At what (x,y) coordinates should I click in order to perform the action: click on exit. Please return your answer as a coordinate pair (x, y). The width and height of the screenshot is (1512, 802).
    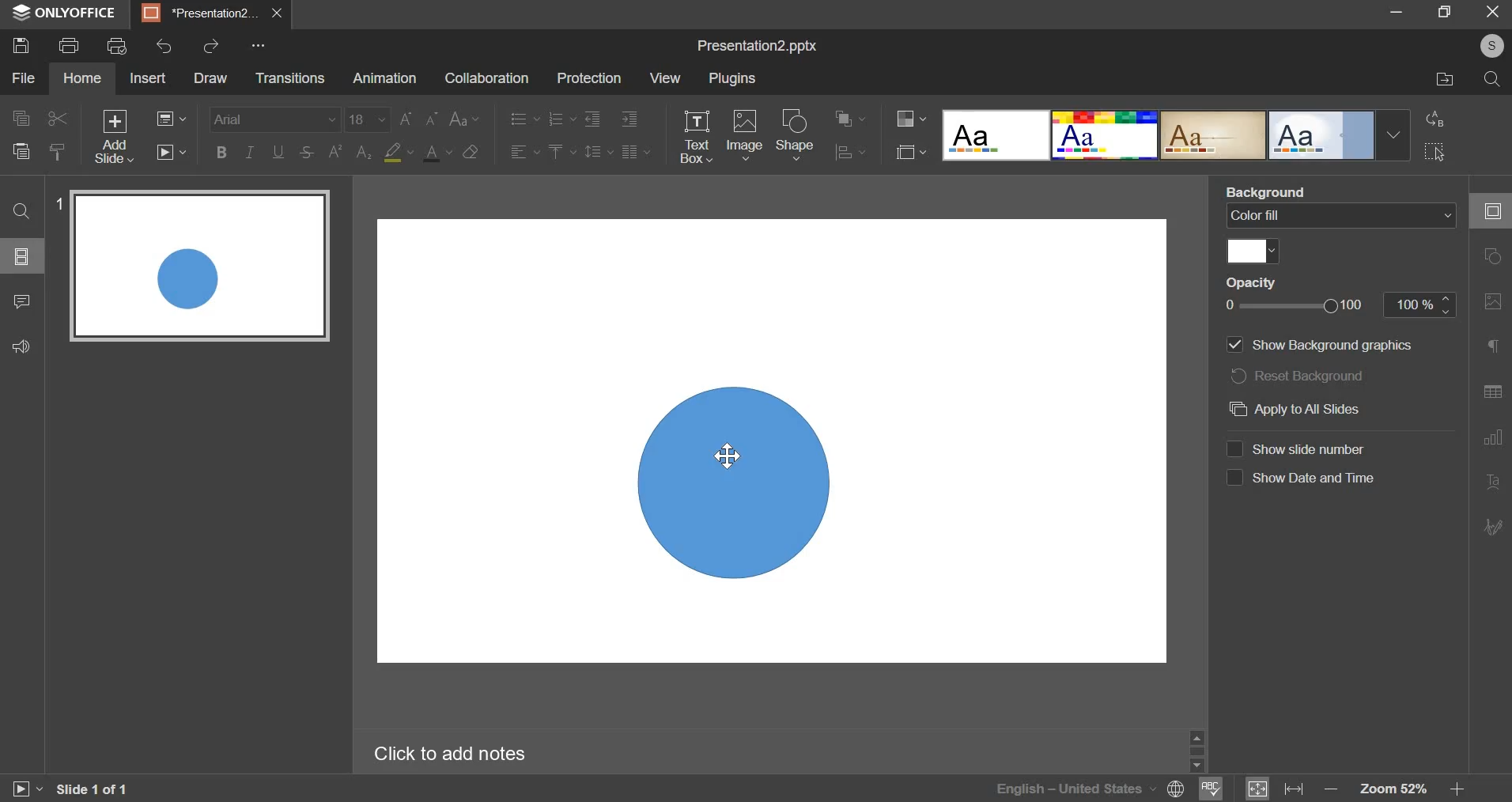
    Looking at the image, I should click on (1496, 13).